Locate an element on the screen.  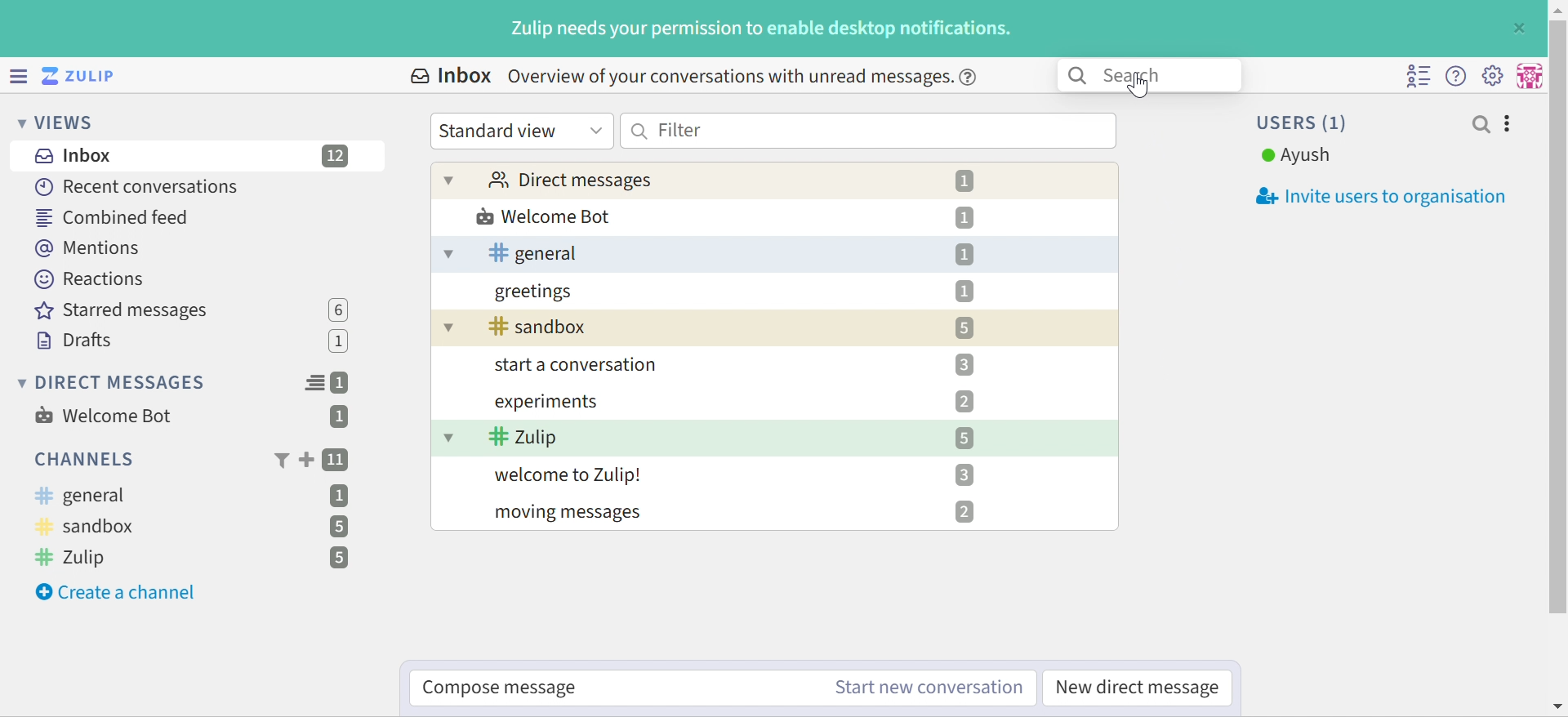
1 is located at coordinates (343, 383).